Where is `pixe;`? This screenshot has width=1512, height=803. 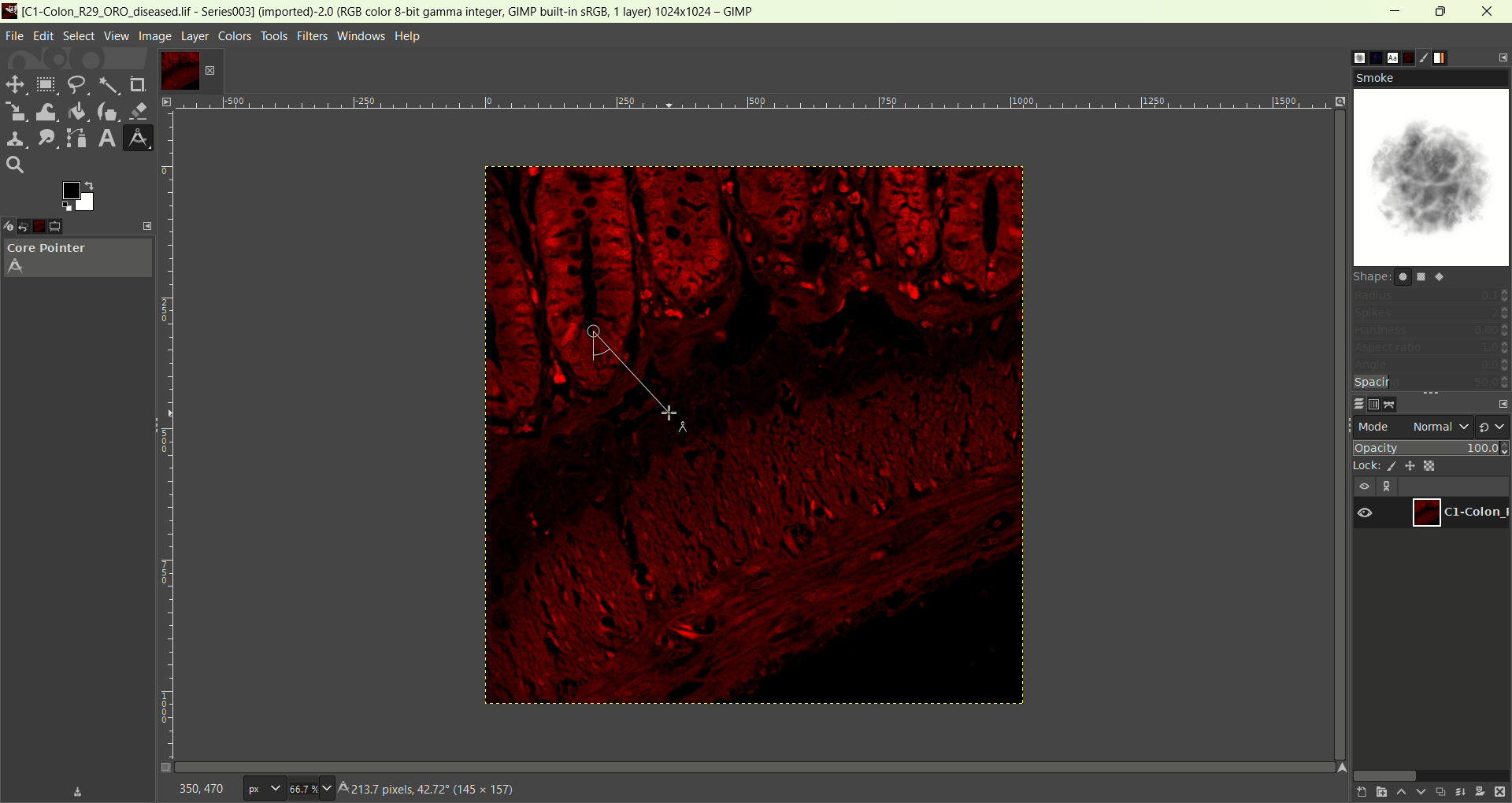 pixe; is located at coordinates (261, 790).